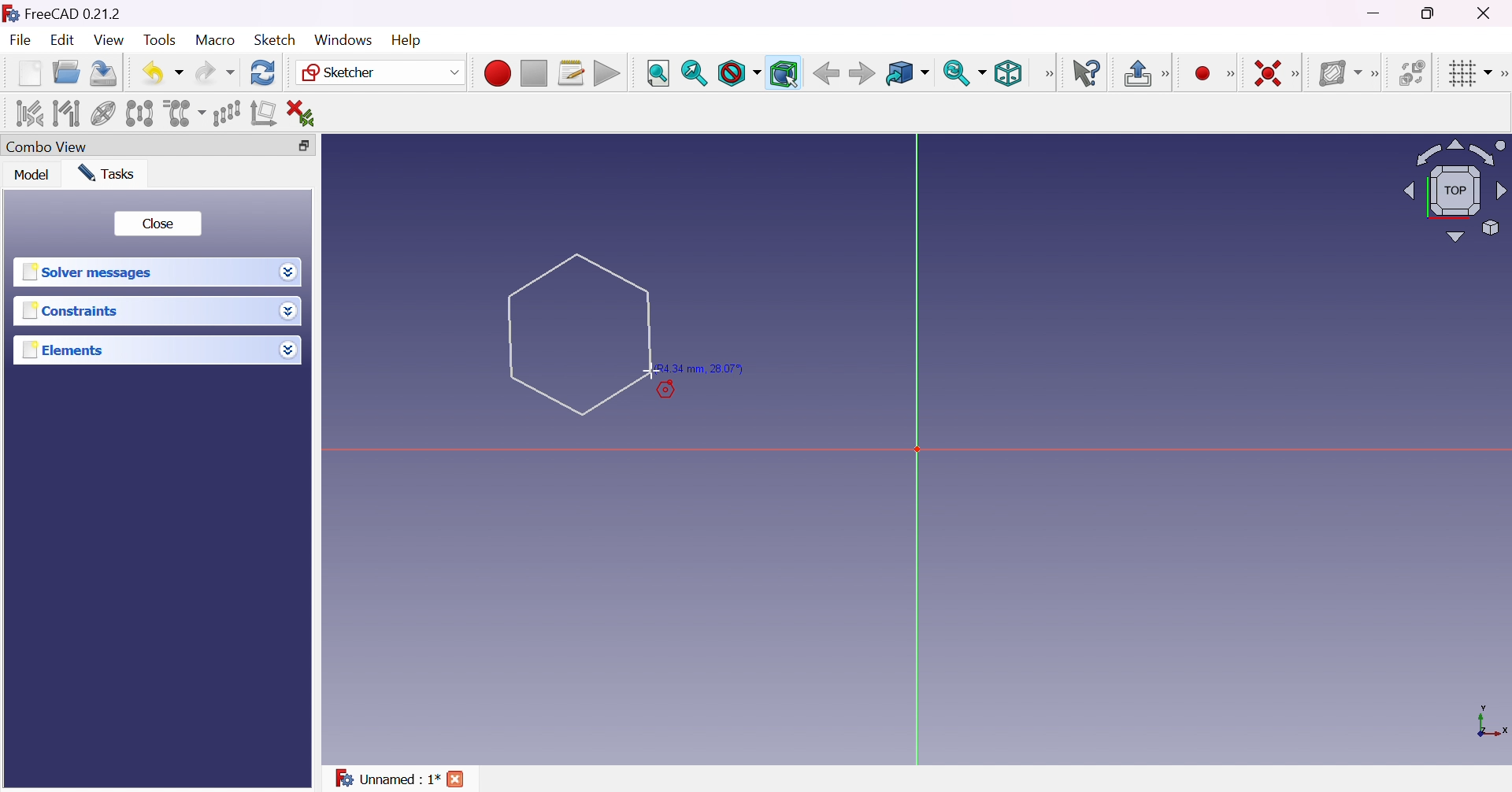 The image size is (1512, 792). Describe the element at coordinates (227, 113) in the screenshot. I see `Rectangular array` at that location.